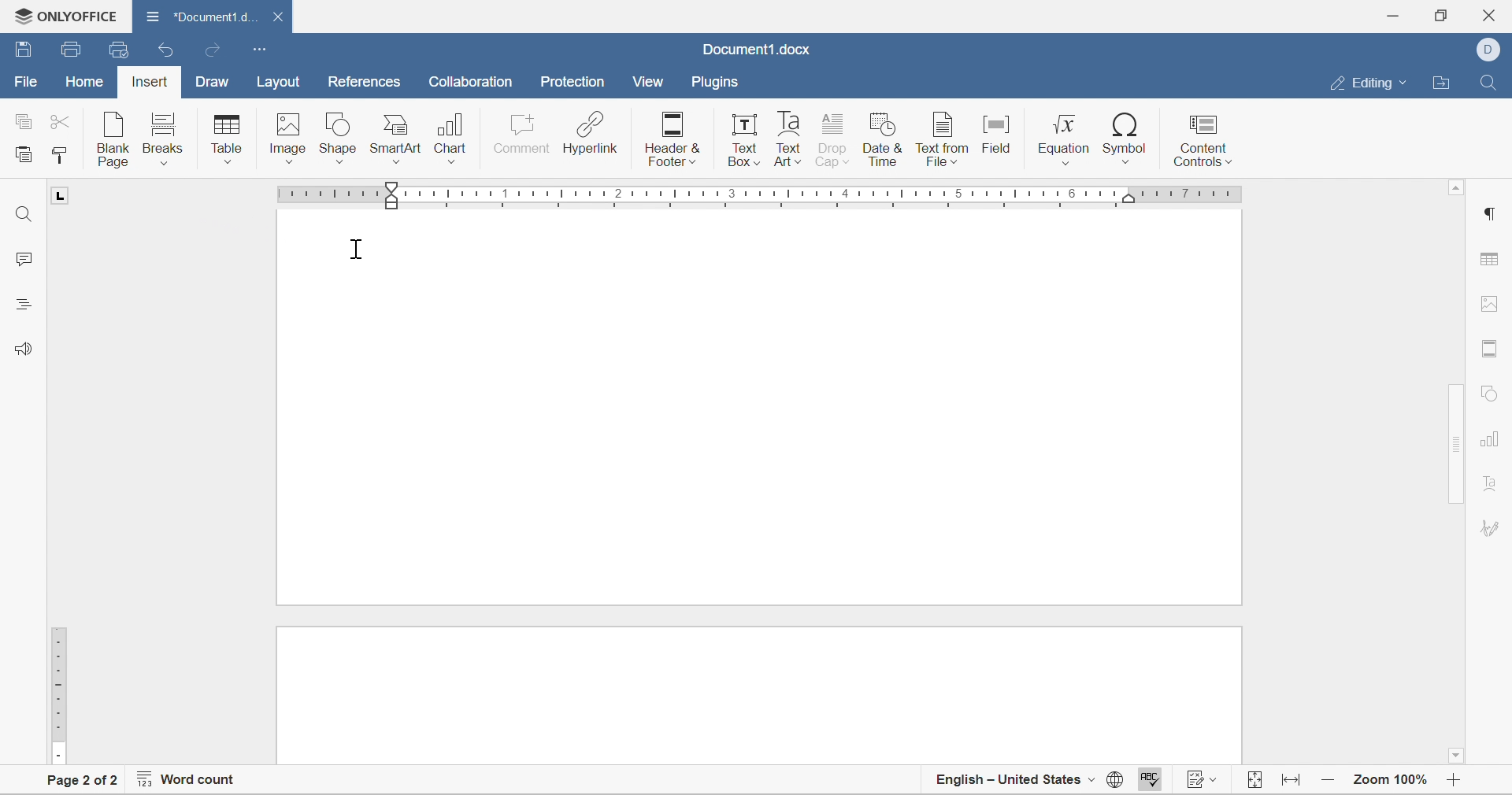  Describe the element at coordinates (338, 139) in the screenshot. I see `Shape` at that location.